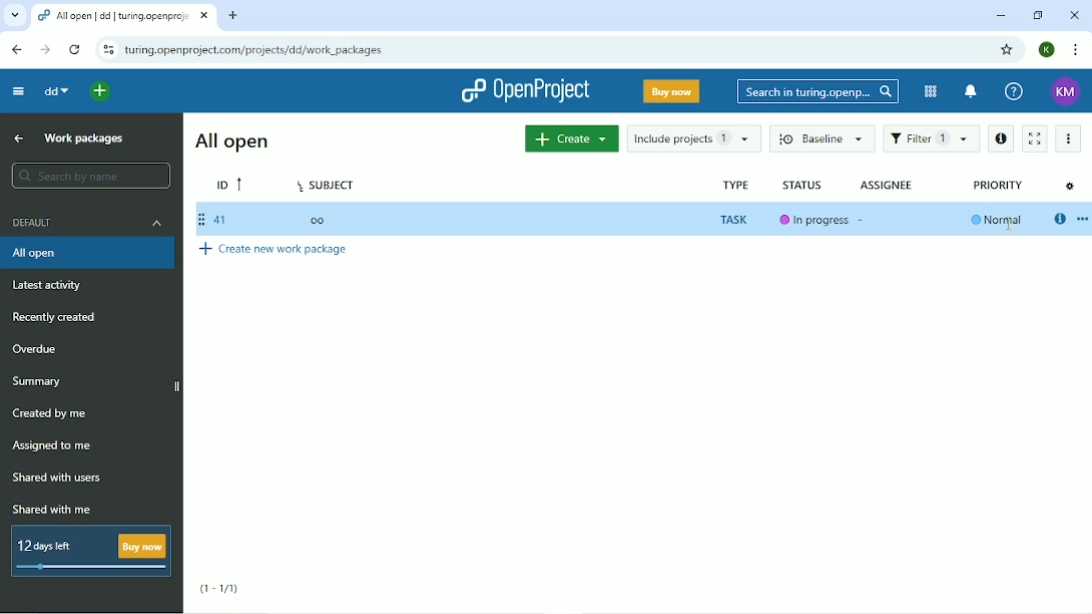  I want to click on Baseline, so click(820, 139).